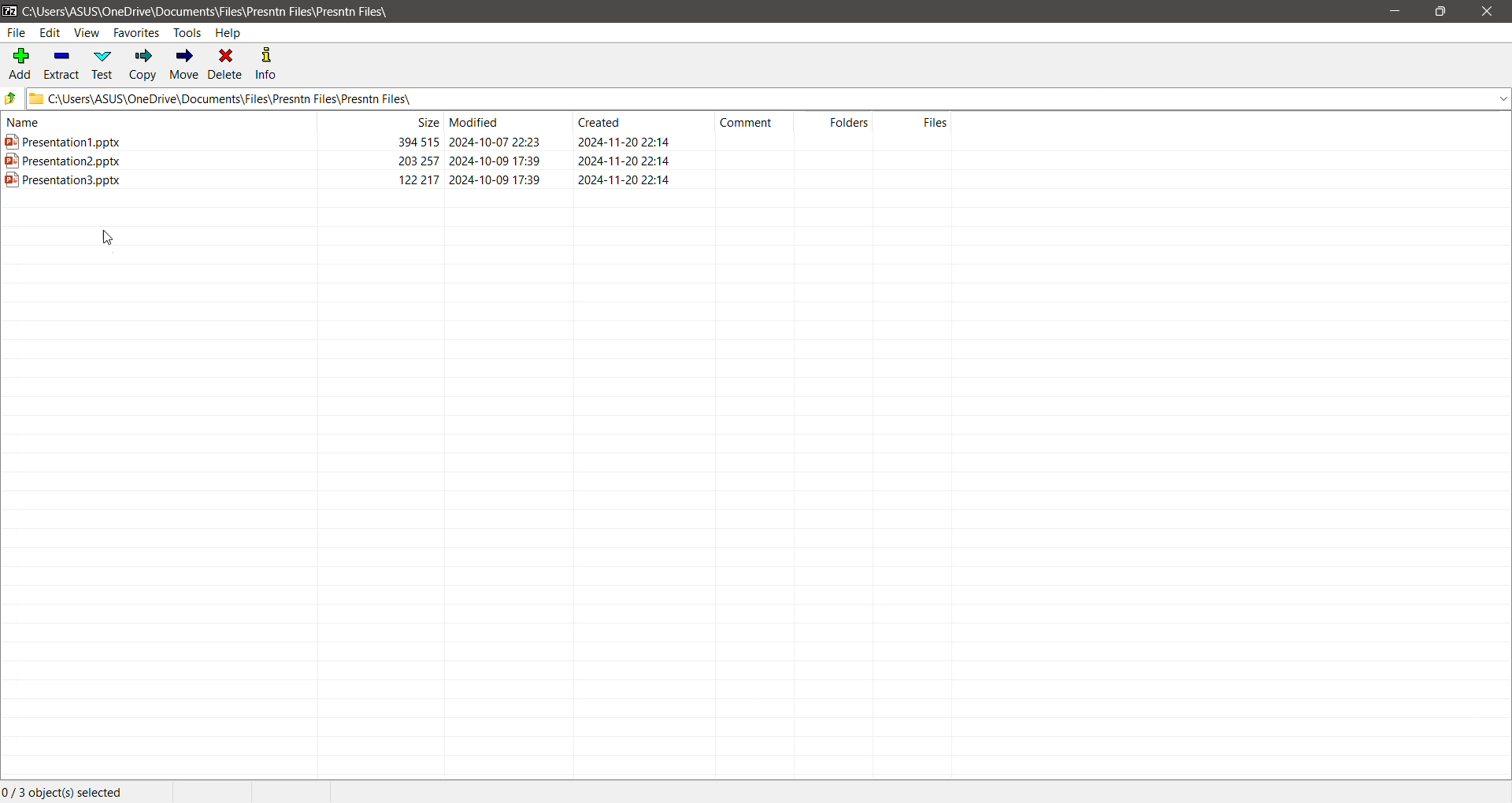  I want to click on Extracted Files path, so click(768, 99).